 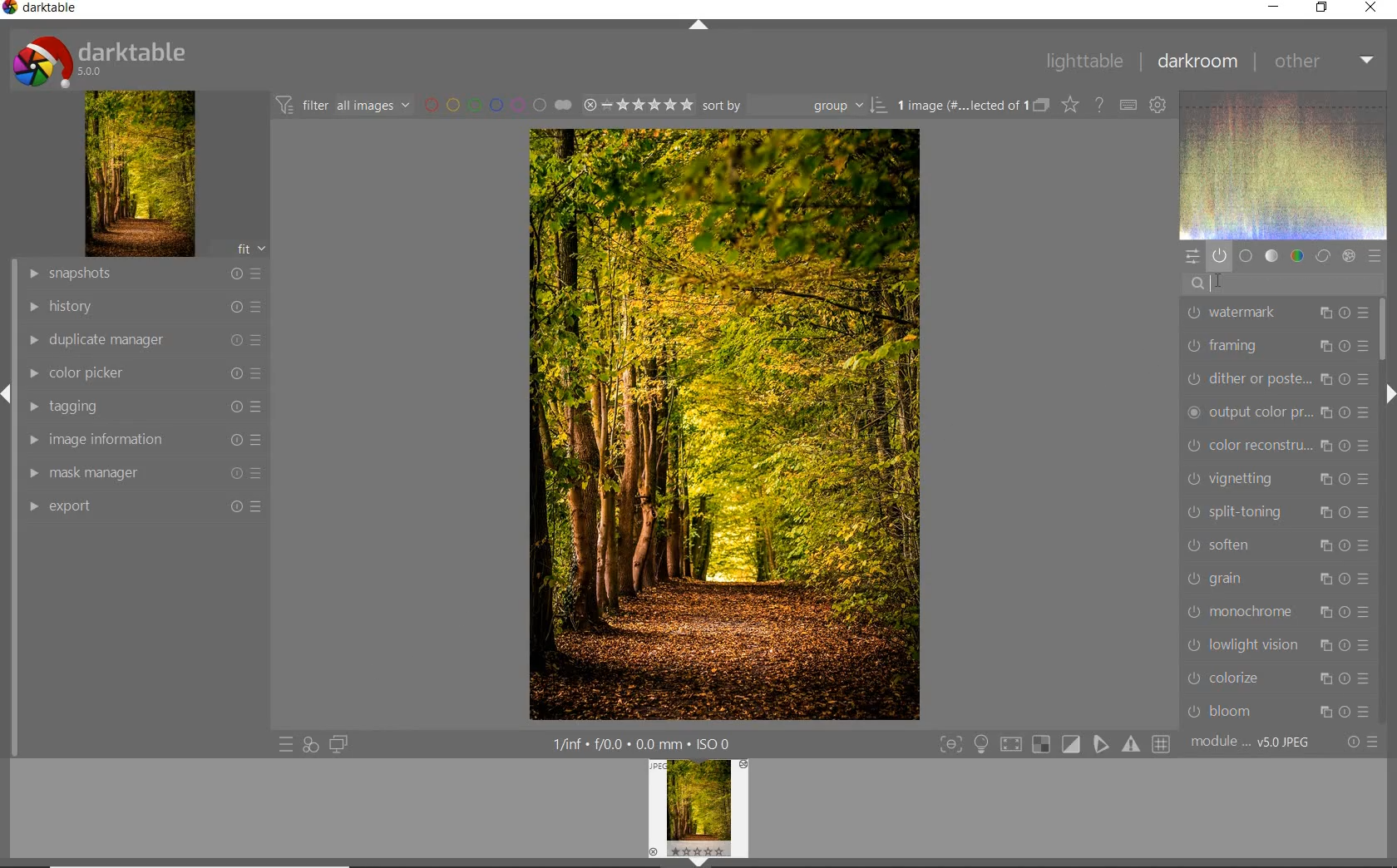 I want to click on quick access to preset, so click(x=285, y=742).